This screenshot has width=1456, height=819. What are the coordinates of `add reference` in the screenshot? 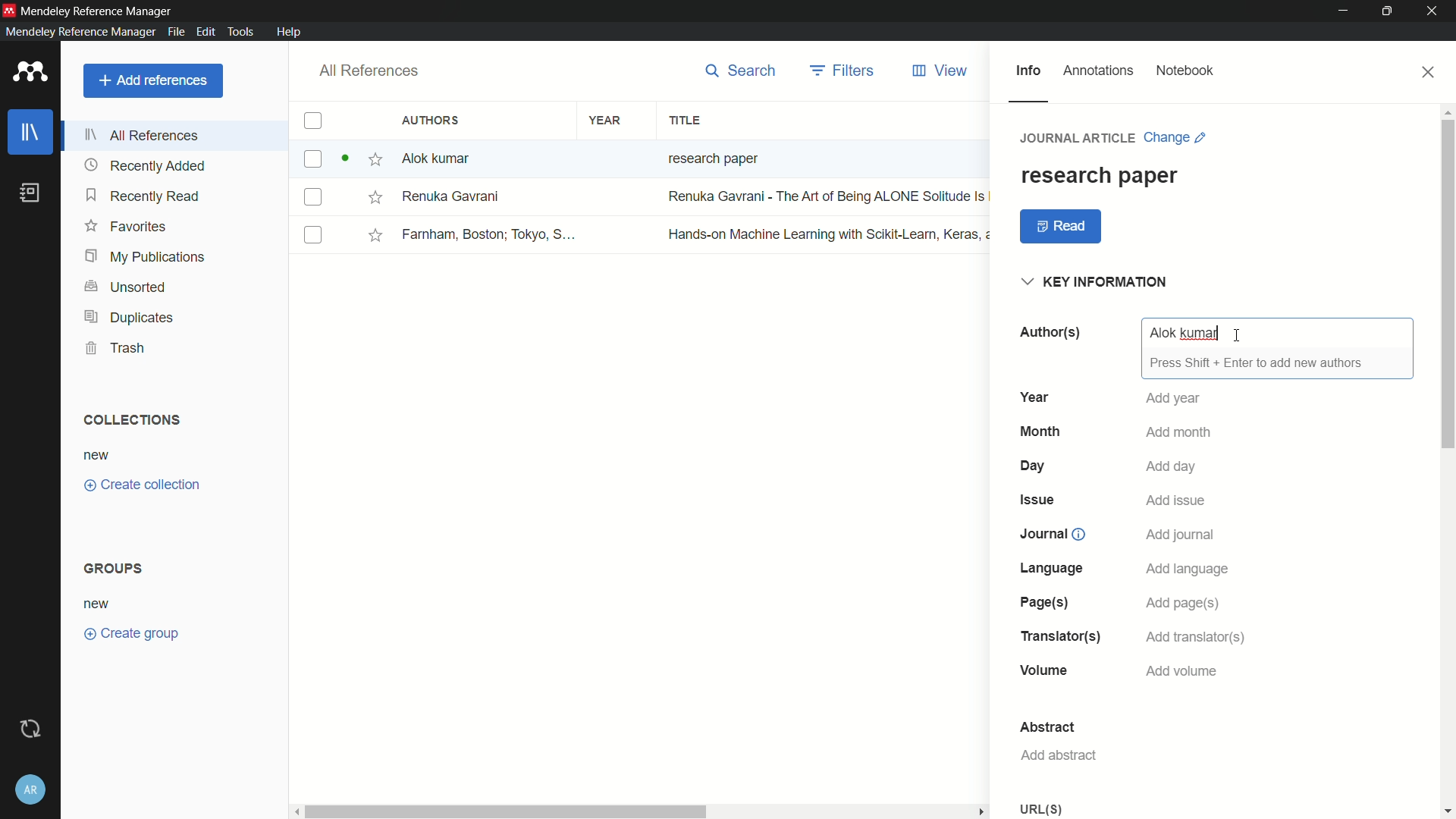 It's located at (152, 80).